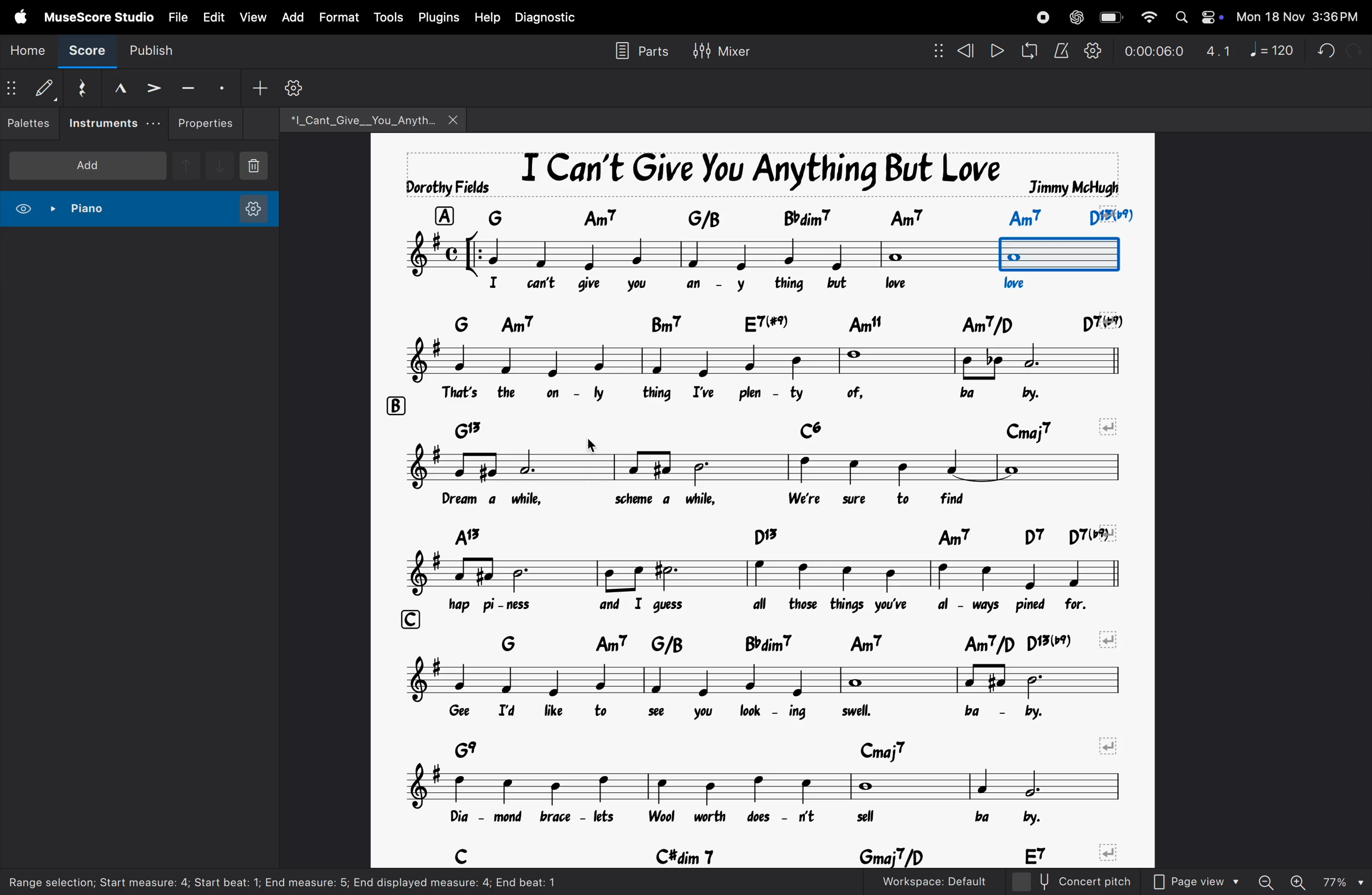 The width and height of the screenshot is (1372, 895). Describe the element at coordinates (114, 122) in the screenshot. I see `instruments` at that location.